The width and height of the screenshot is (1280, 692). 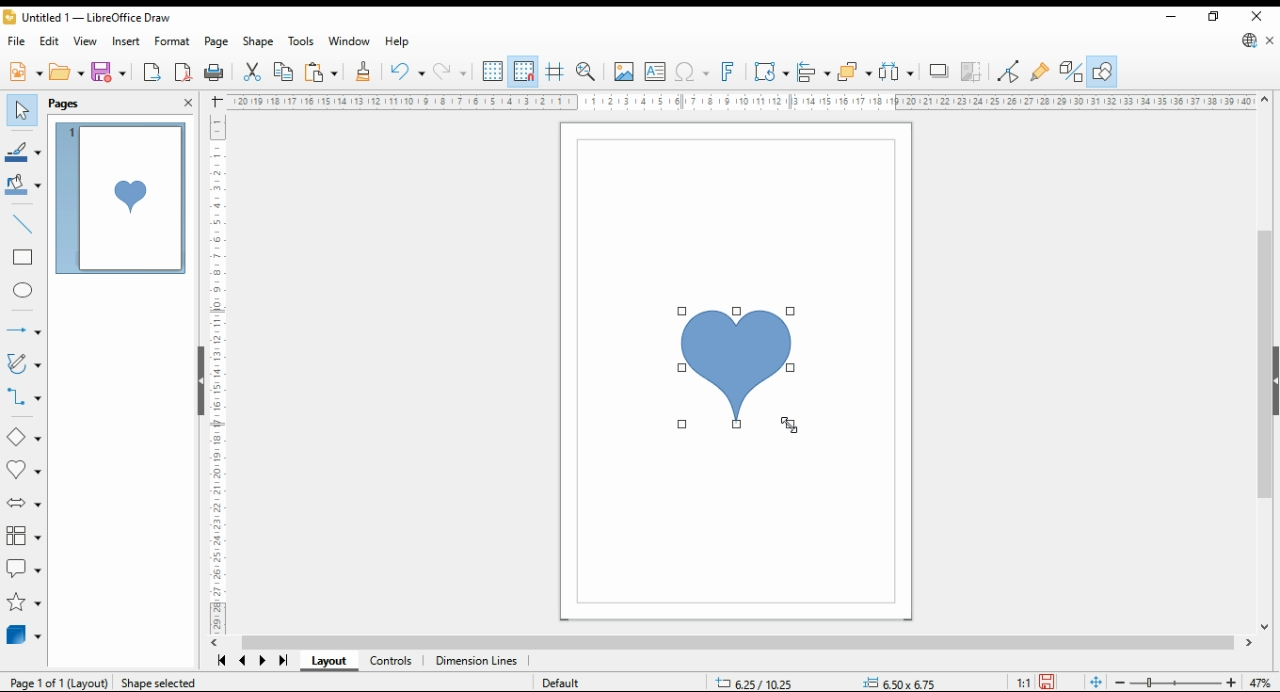 What do you see at coordinates (1095, 682) in the screenshot?
I see `fit page to window` at bounding box center [1095, 682].